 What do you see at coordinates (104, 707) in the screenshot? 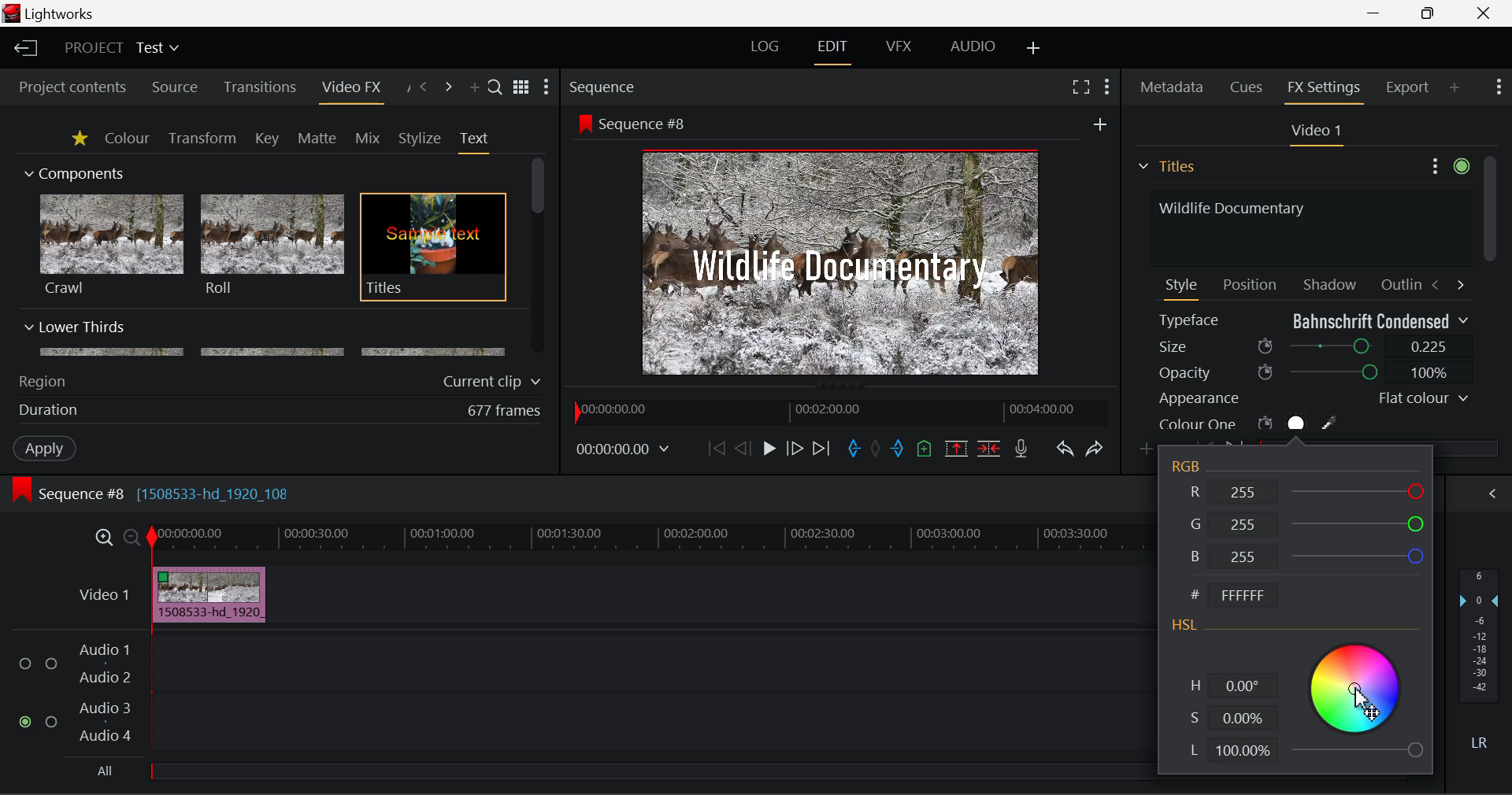
I see `Audio 3` at bounding box center [104, 707].